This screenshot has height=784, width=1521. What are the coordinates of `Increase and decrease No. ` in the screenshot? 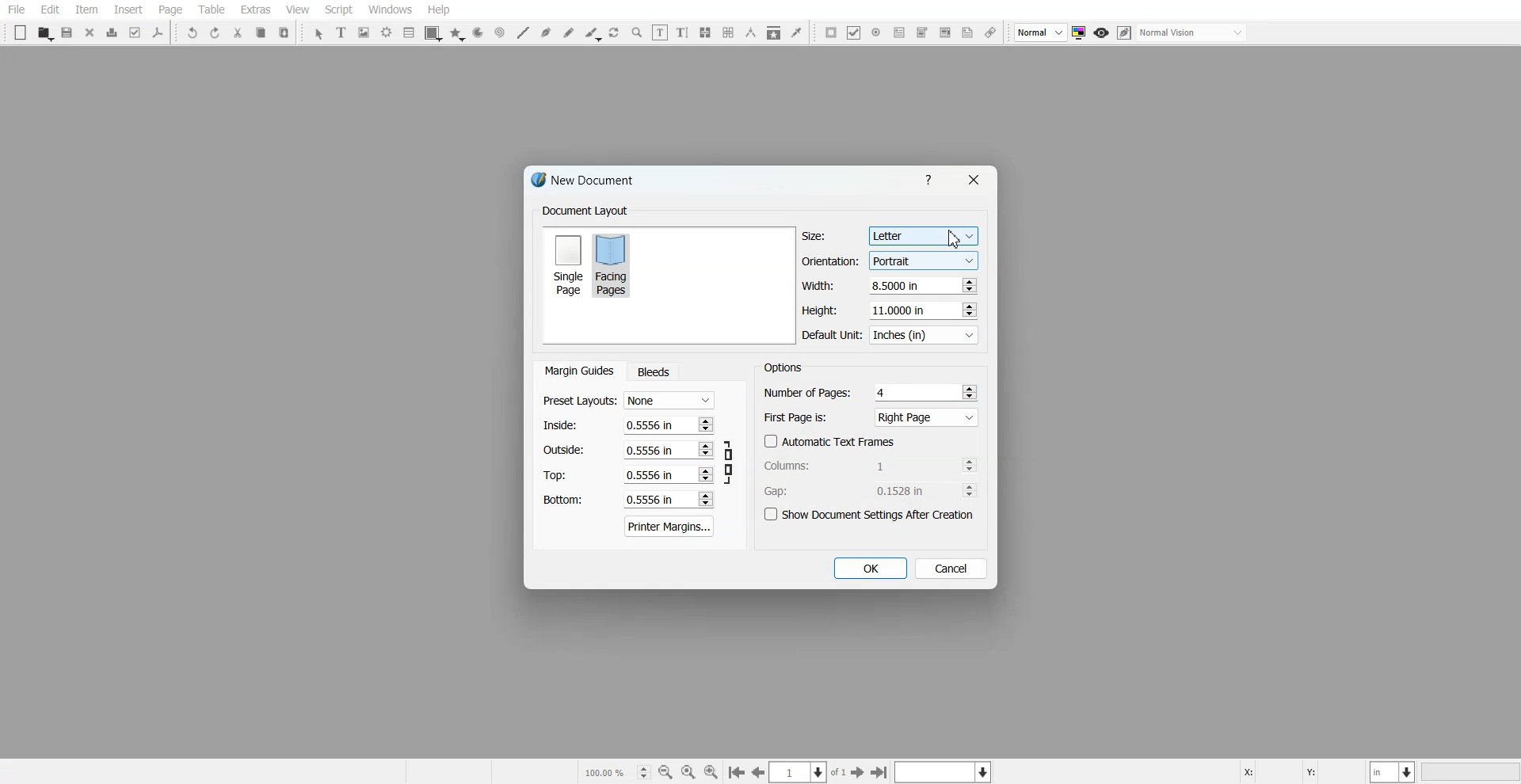 It's located at (704, 499).